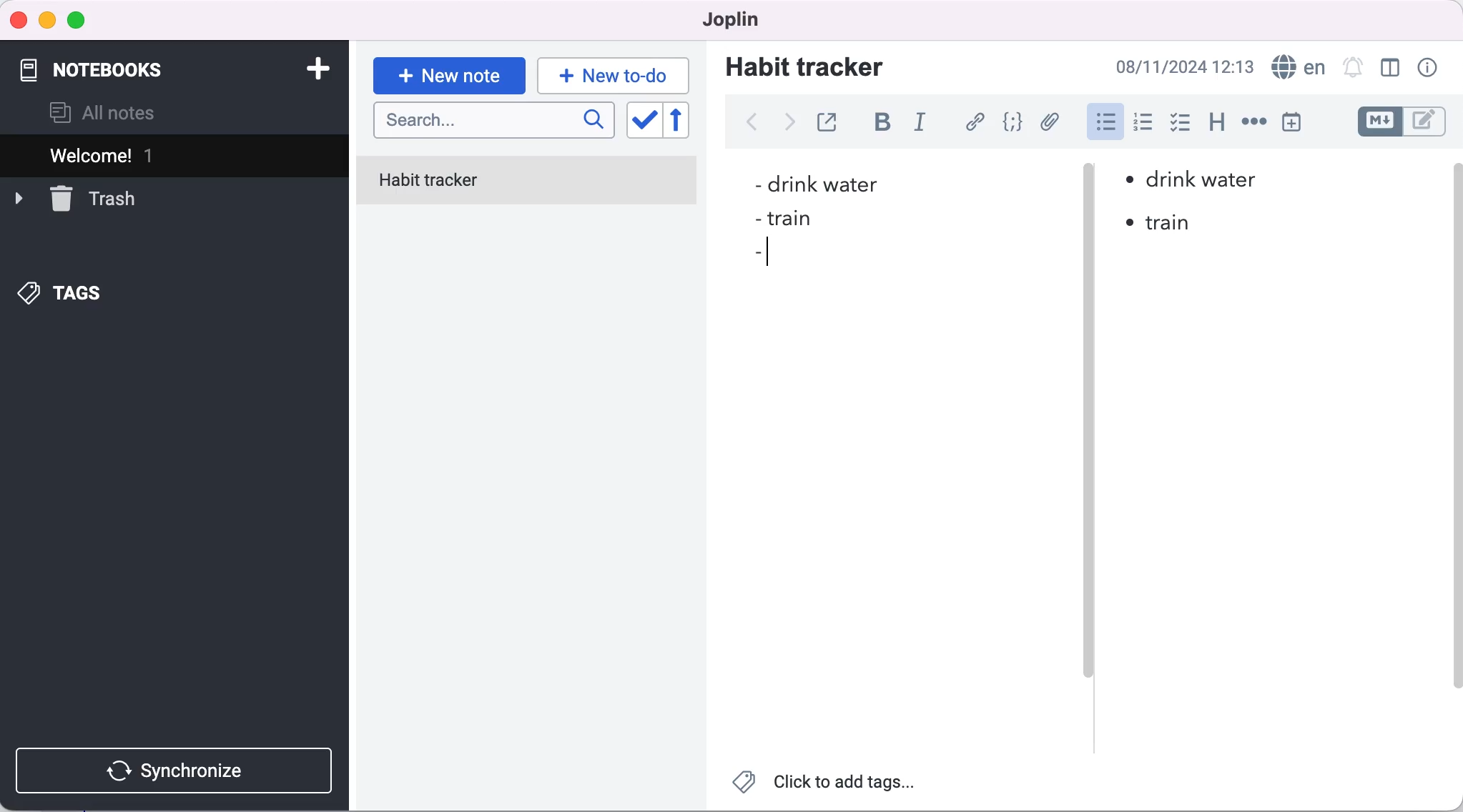 The width and height of the screenshot is (1463, 812). What do you see at coordinates (527, 182) in the screenshot?
I see `habit tracker` at bounding box center [527, 182].